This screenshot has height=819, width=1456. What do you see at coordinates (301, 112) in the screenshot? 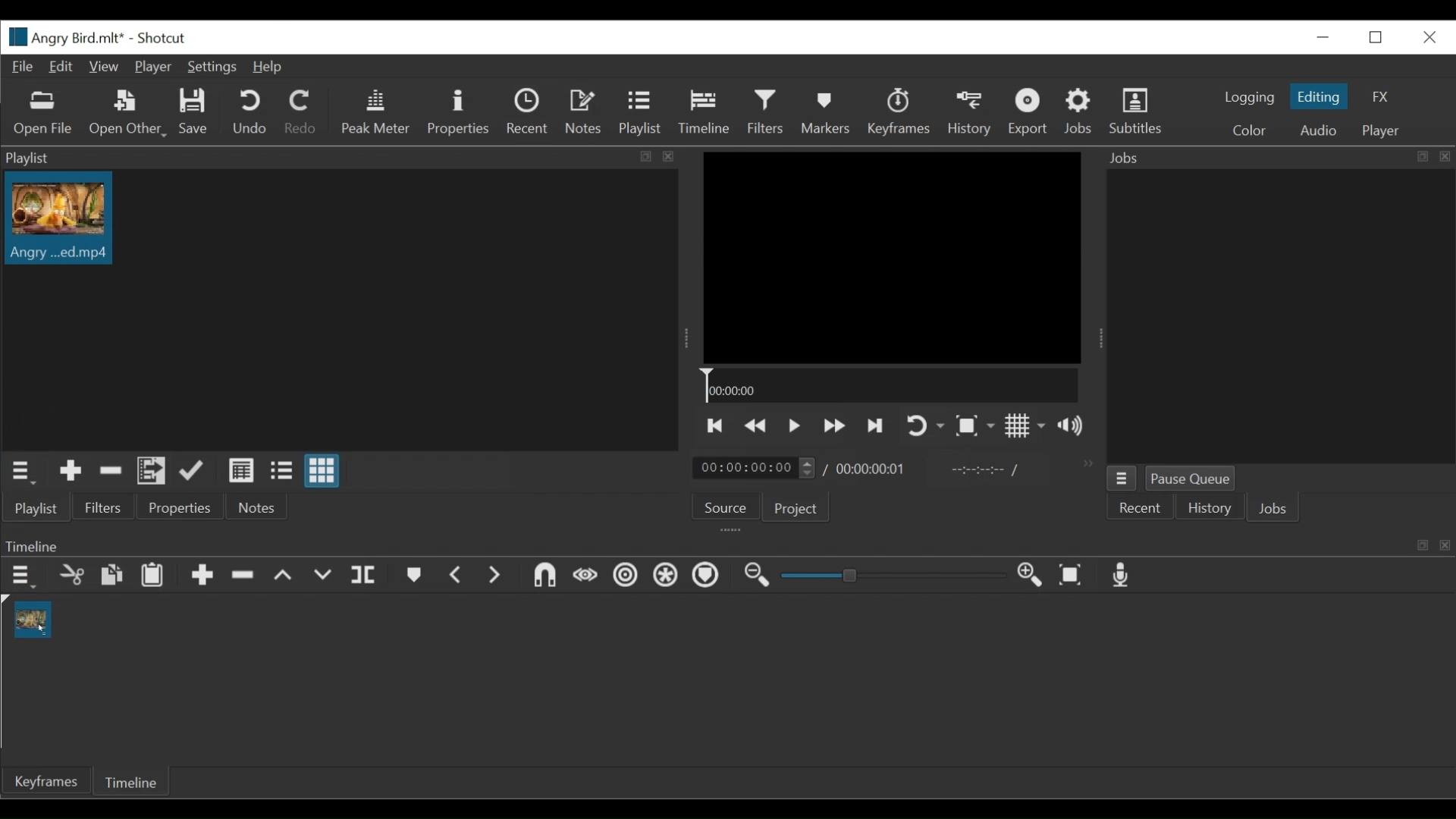
I see `Redo` at bounding box center [301, 112].